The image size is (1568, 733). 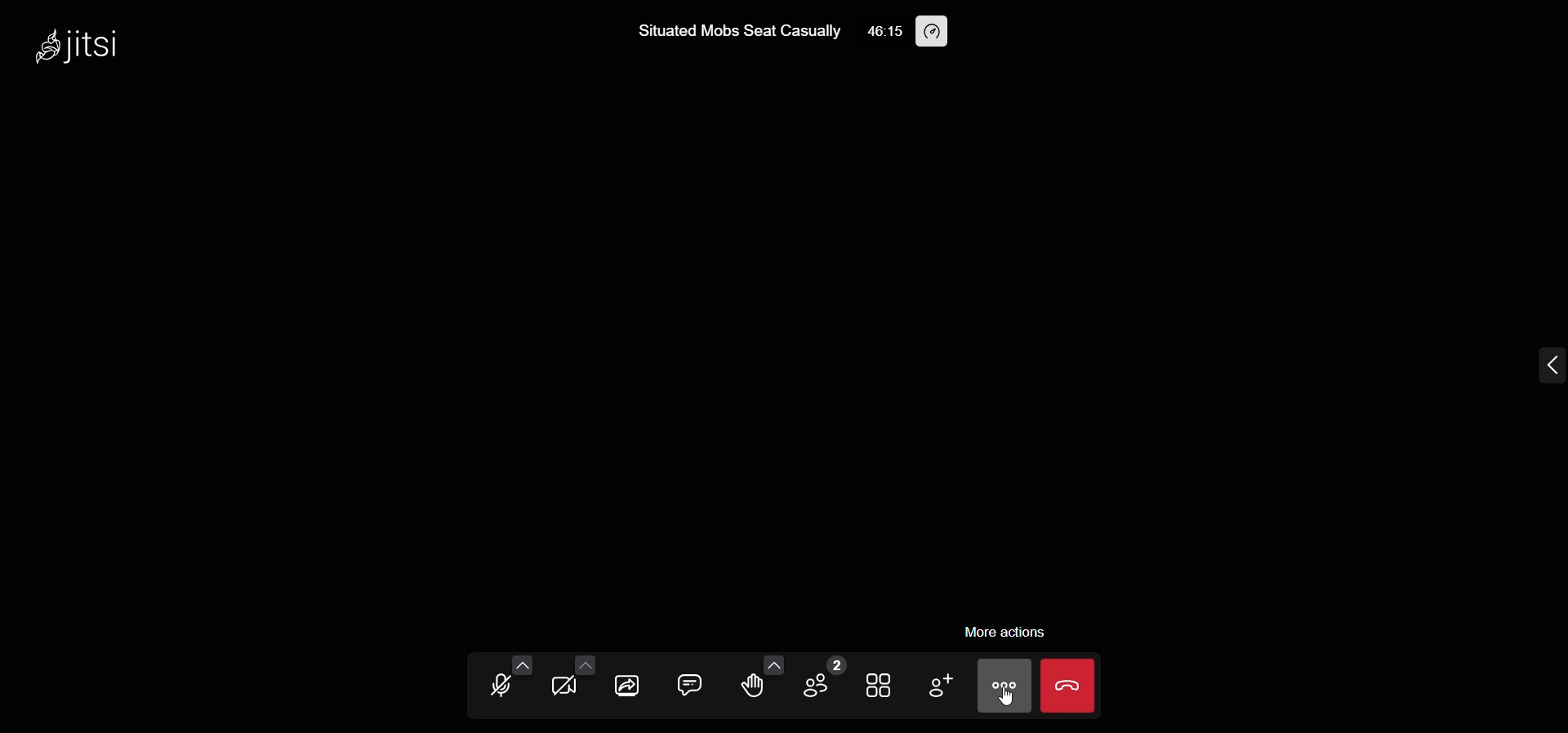 What do you see at coordinates (564, 687) in the screenshot?
I see `camera` at bounding box center [564, 687].